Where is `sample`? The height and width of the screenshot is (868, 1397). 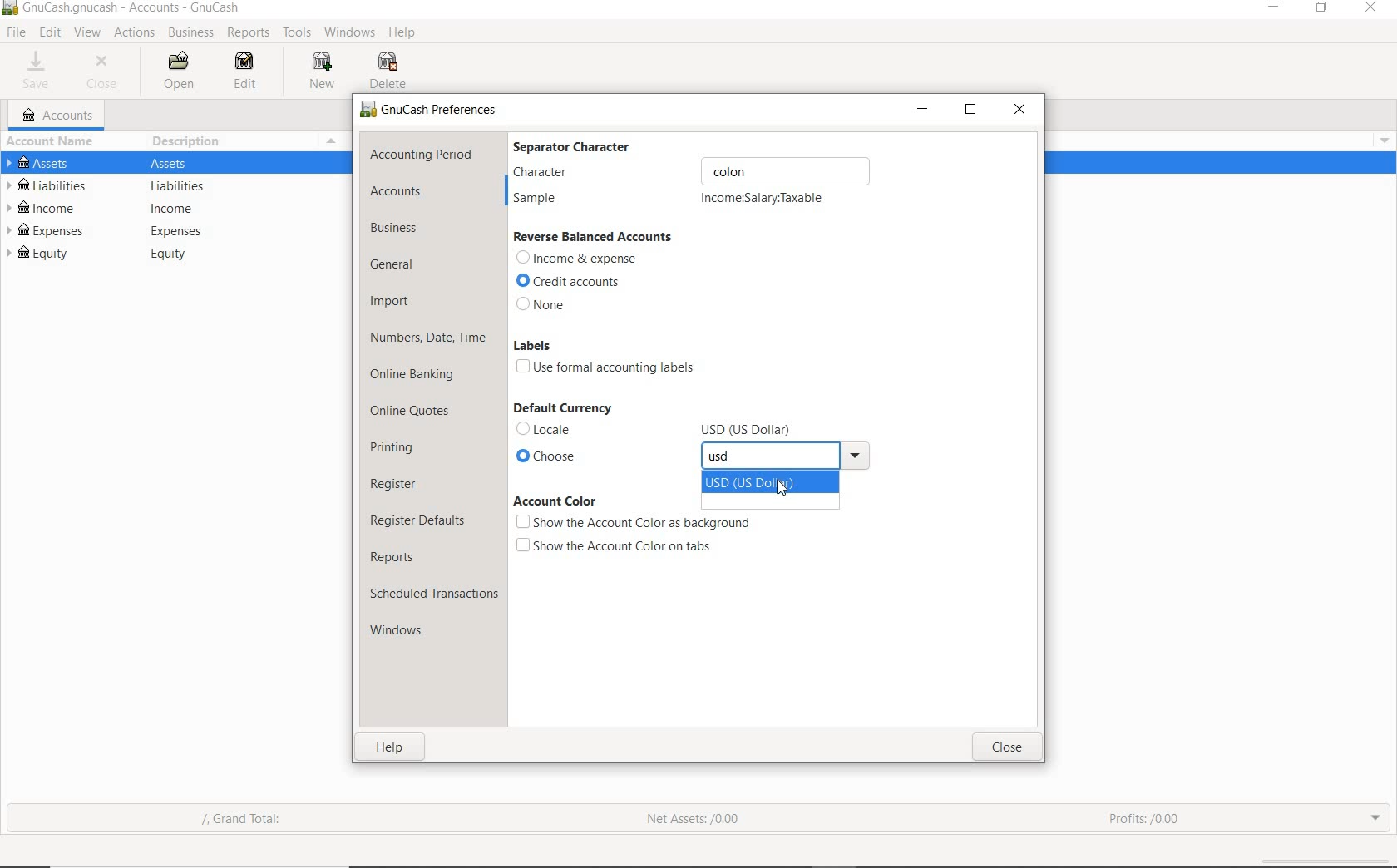 sample is located at coordinates (541, 200).